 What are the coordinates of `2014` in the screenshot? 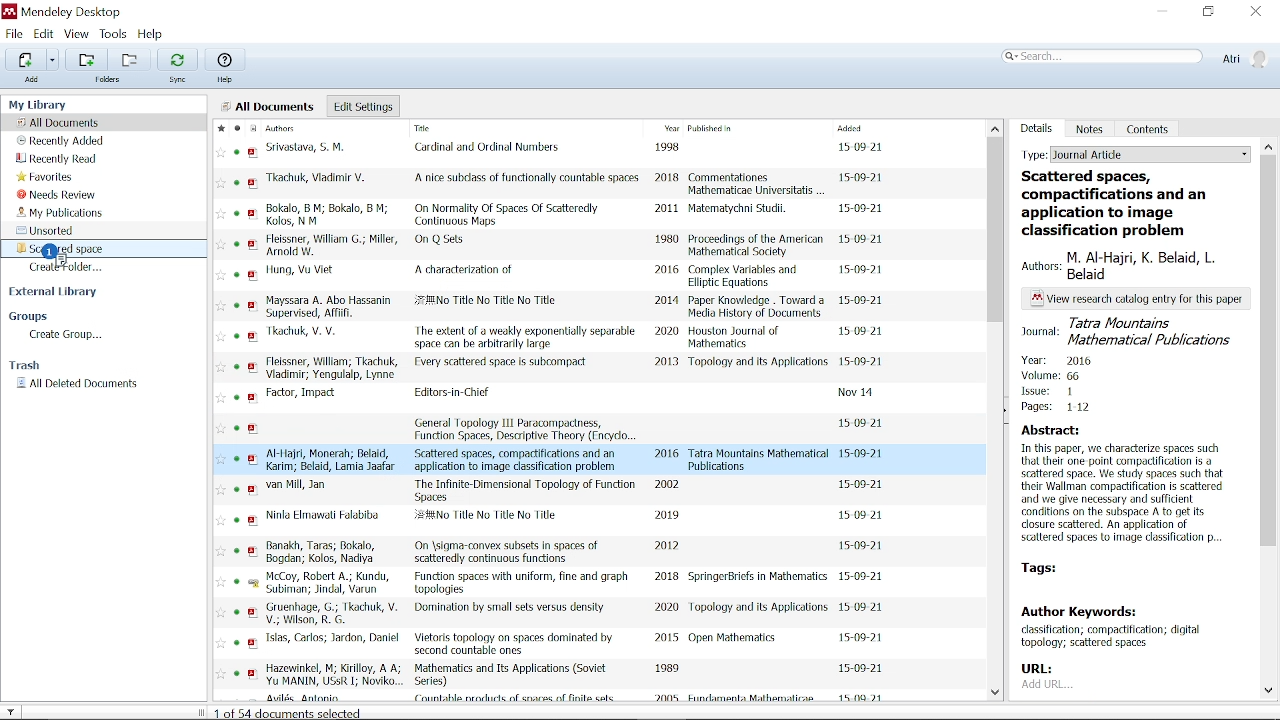 It's located at (667, 300).